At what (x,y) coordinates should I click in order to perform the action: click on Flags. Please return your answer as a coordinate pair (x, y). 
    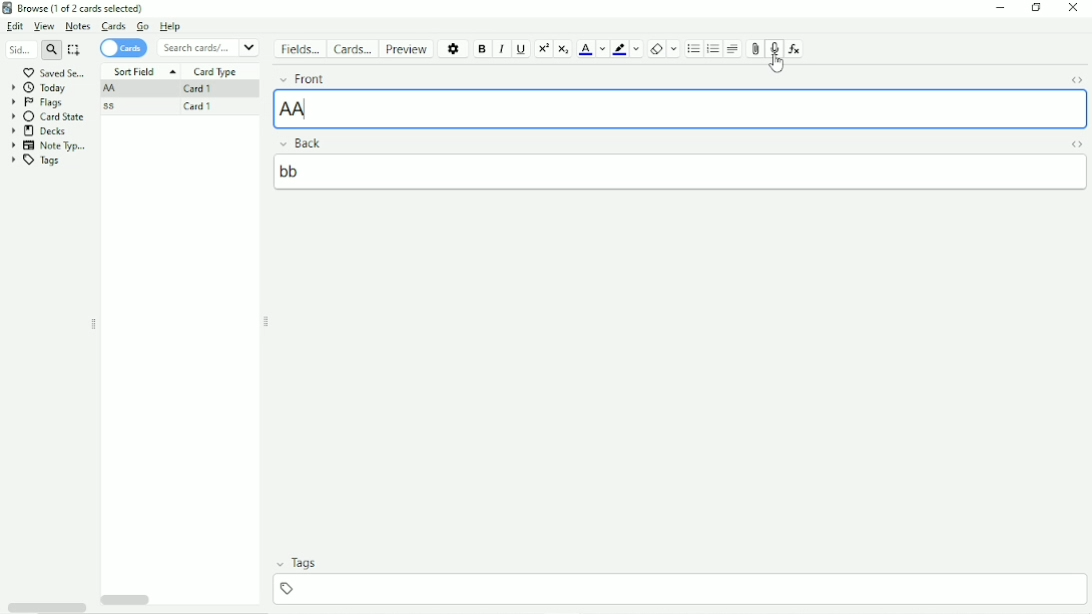
    Looking at the image, I should click on (43, 103).